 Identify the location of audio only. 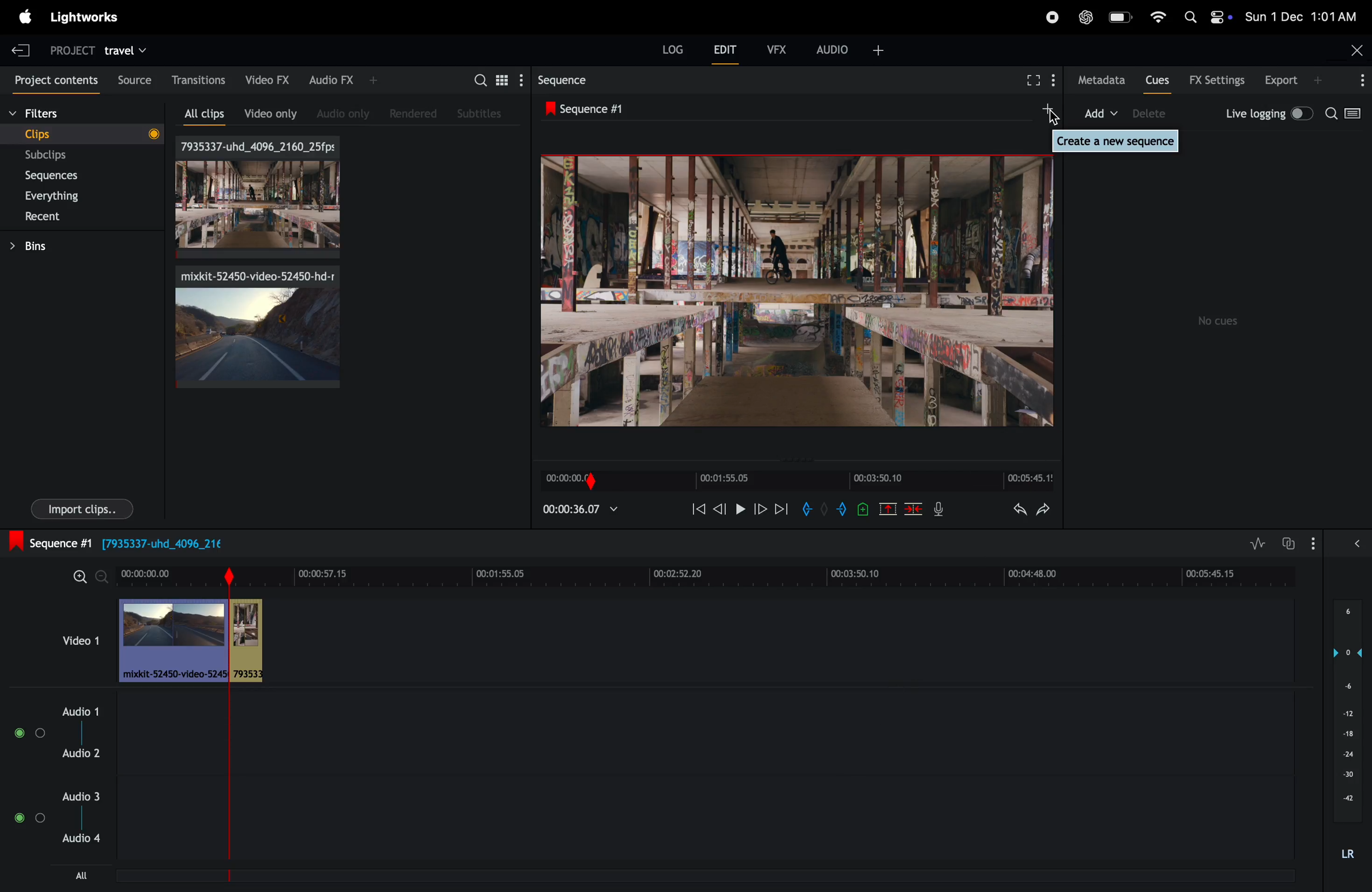
(346, 111).